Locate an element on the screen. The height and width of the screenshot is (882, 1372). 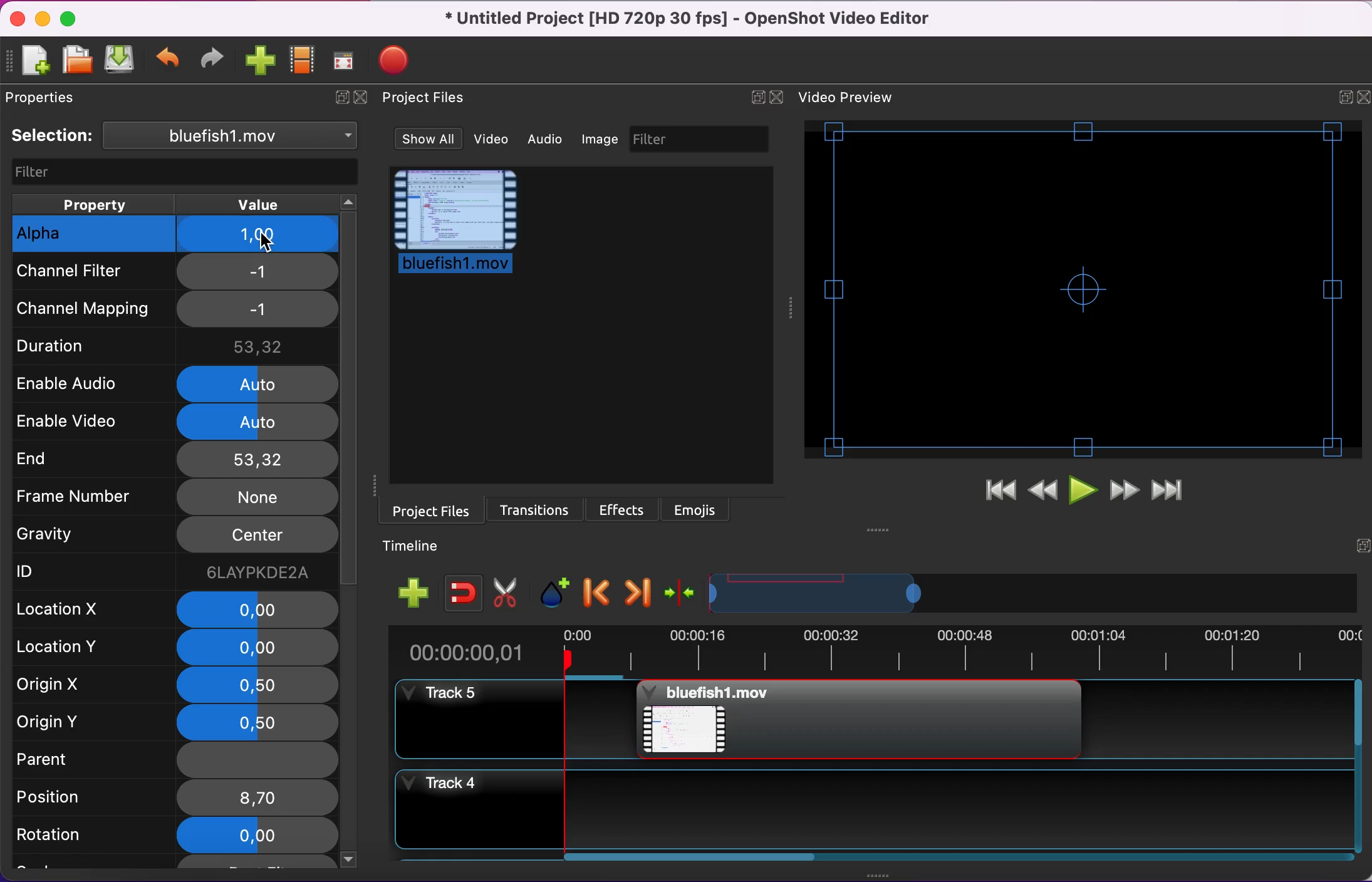
add marker is located at coordinates (558, 593).